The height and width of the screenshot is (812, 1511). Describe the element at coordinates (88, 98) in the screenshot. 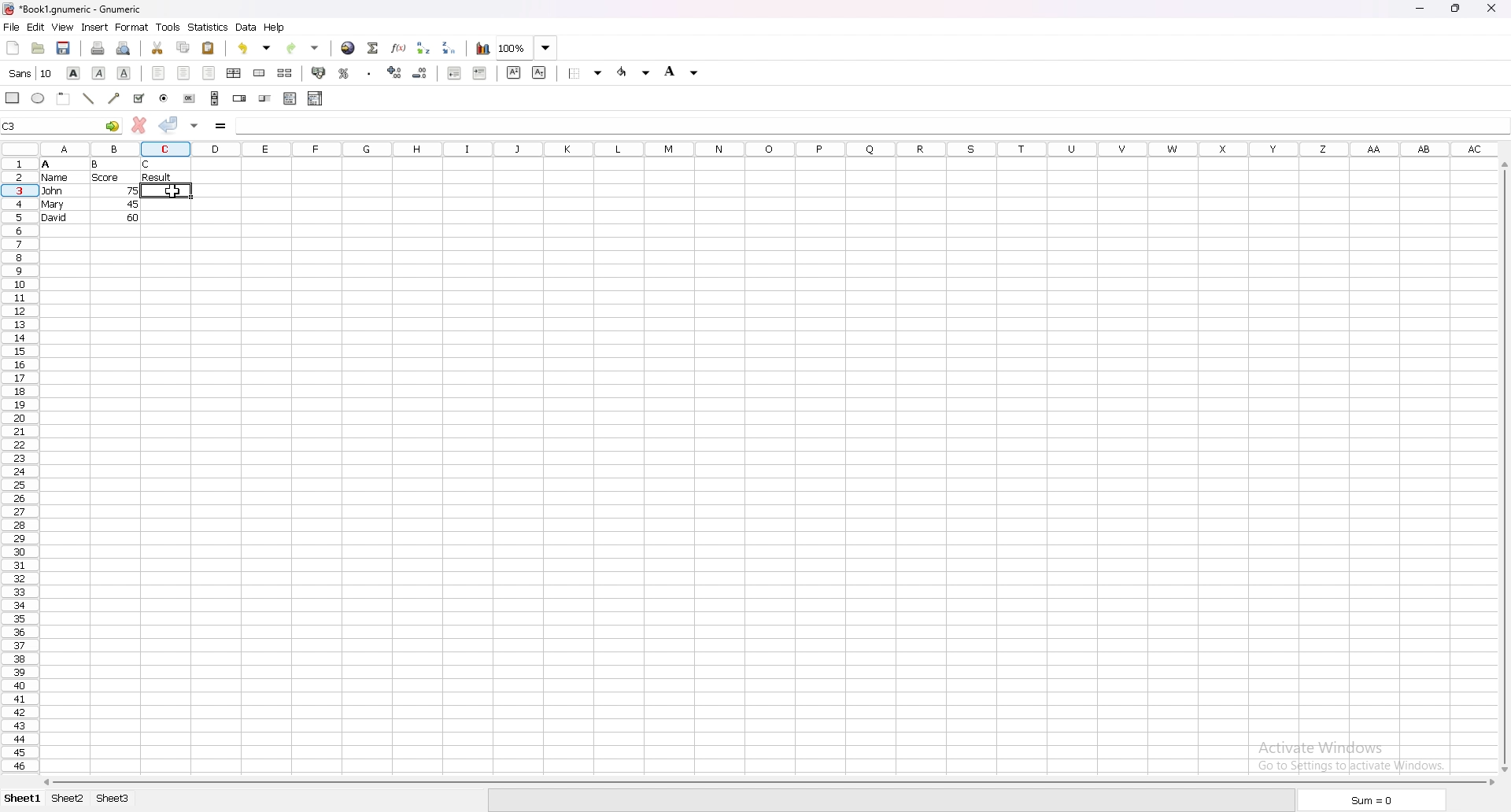

I see `line` at that location.